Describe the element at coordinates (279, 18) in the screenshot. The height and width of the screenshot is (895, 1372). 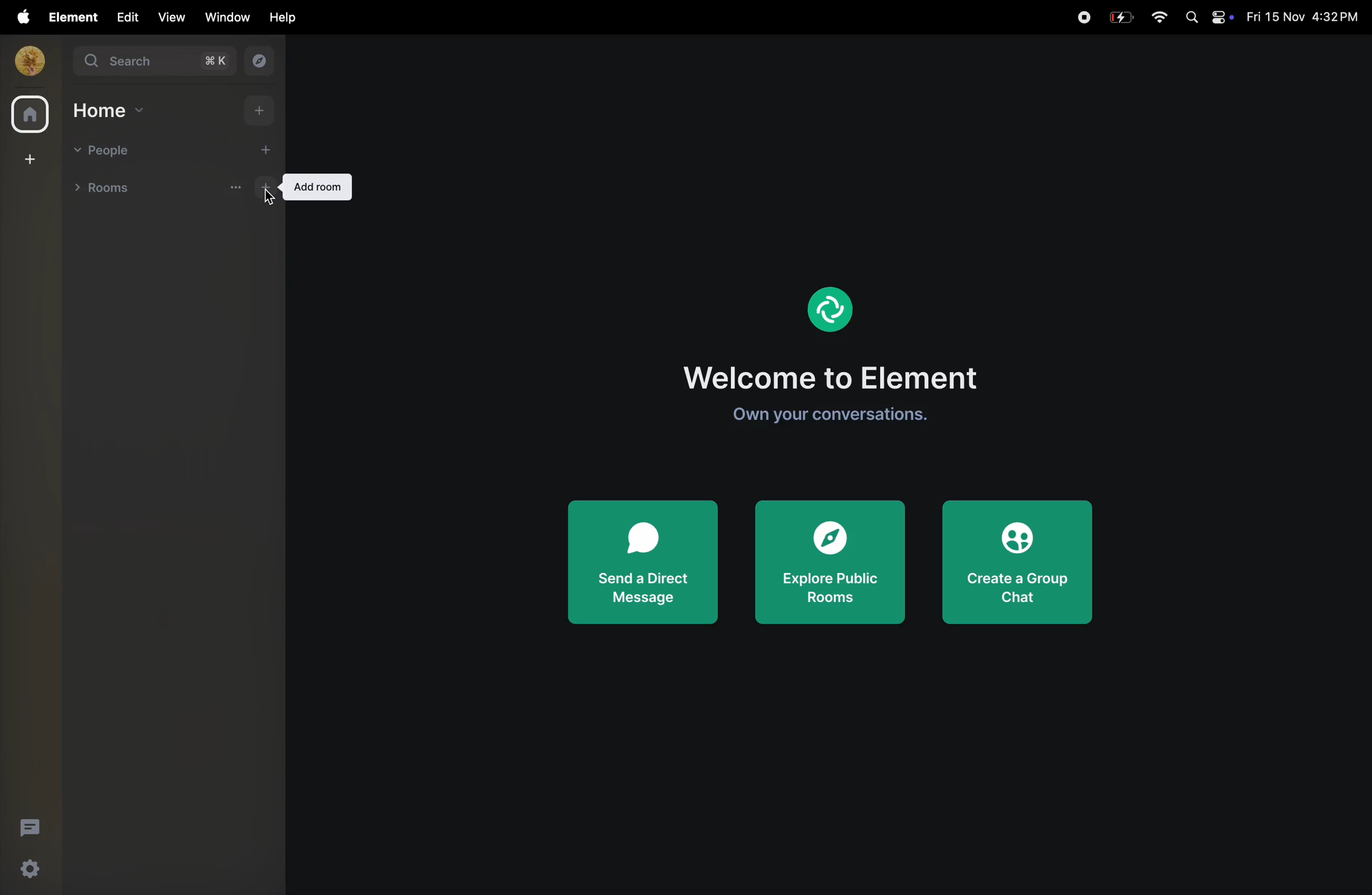
I see `help` at that location.